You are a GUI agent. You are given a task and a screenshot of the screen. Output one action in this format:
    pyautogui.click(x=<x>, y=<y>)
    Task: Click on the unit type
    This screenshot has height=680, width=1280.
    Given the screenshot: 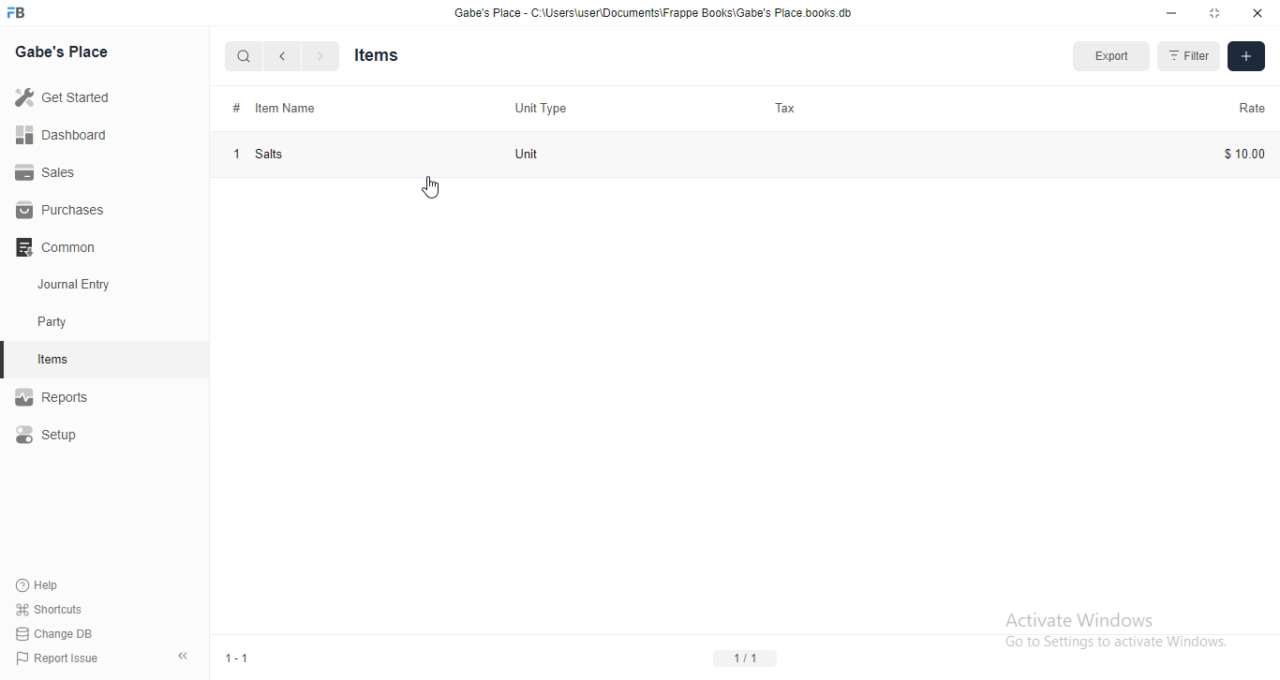 What is the action you would take?
    pyautogui.click(x=541, y=105)
    